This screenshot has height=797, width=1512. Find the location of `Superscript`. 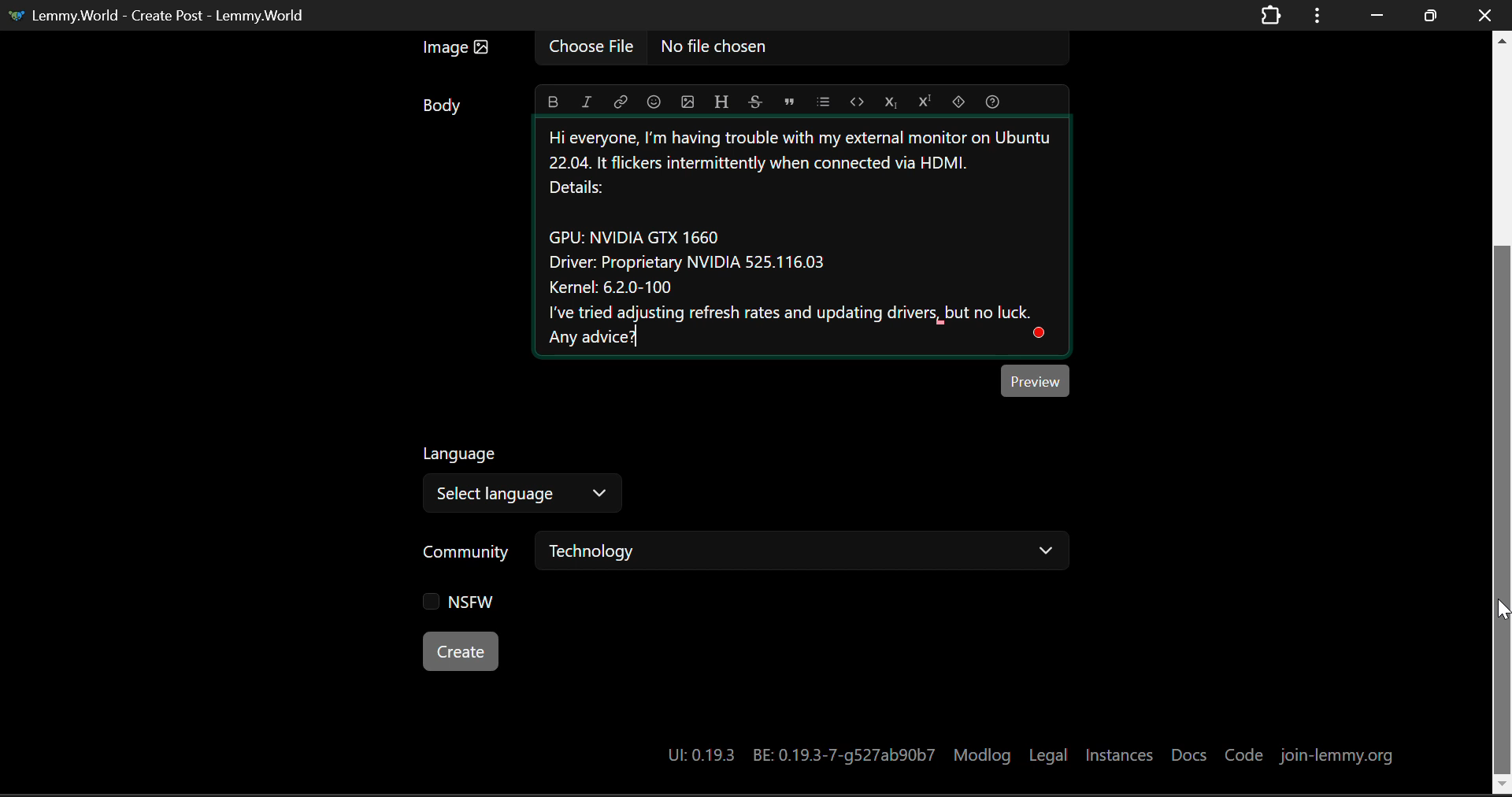

Superscript is located at coordinates (923, 100).